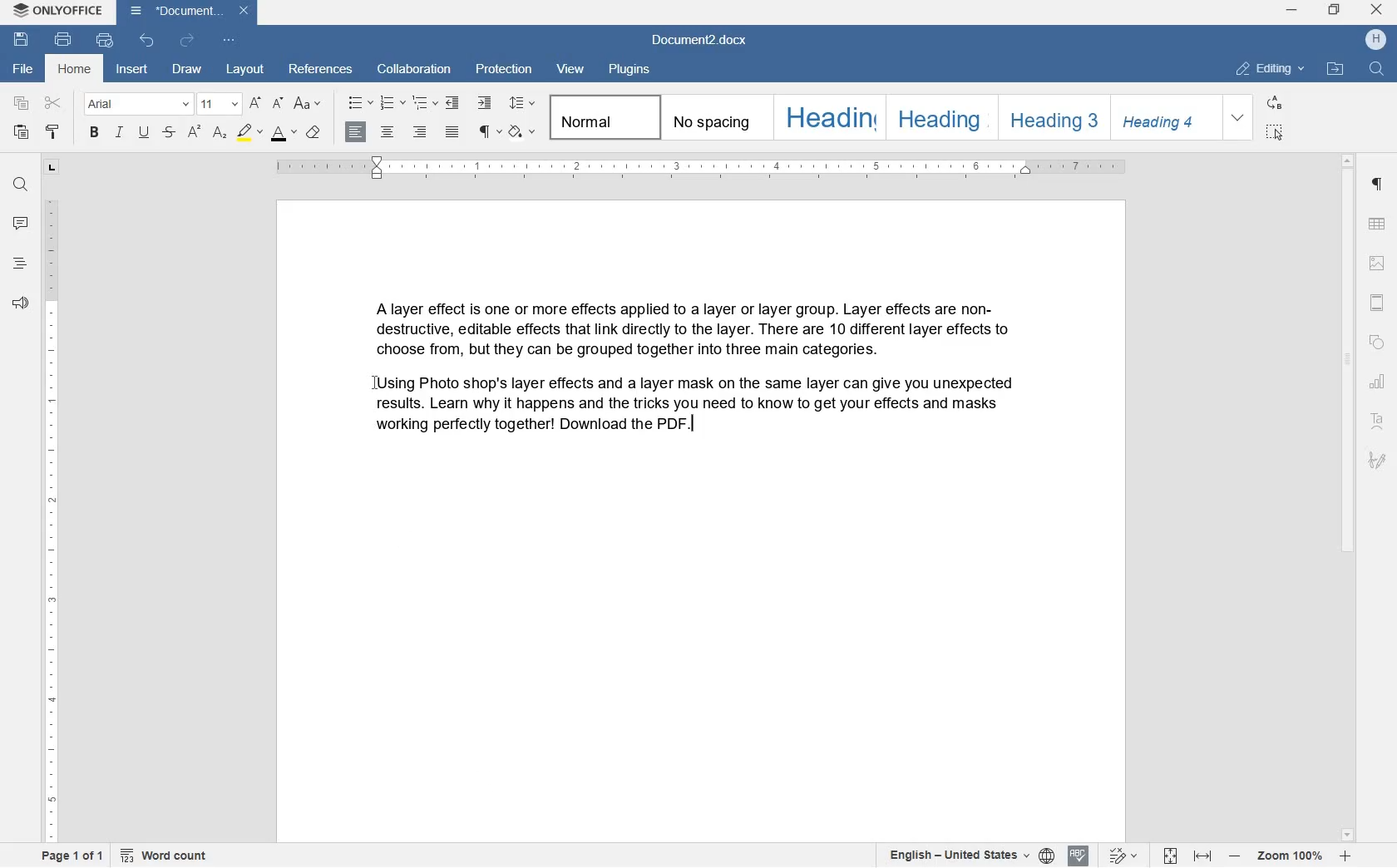 The image size is (1397, 868). What do you see at coordinates (1161, 118) in the screenshot?
I see `HEADING 4` at bounding box center [1161, 118].